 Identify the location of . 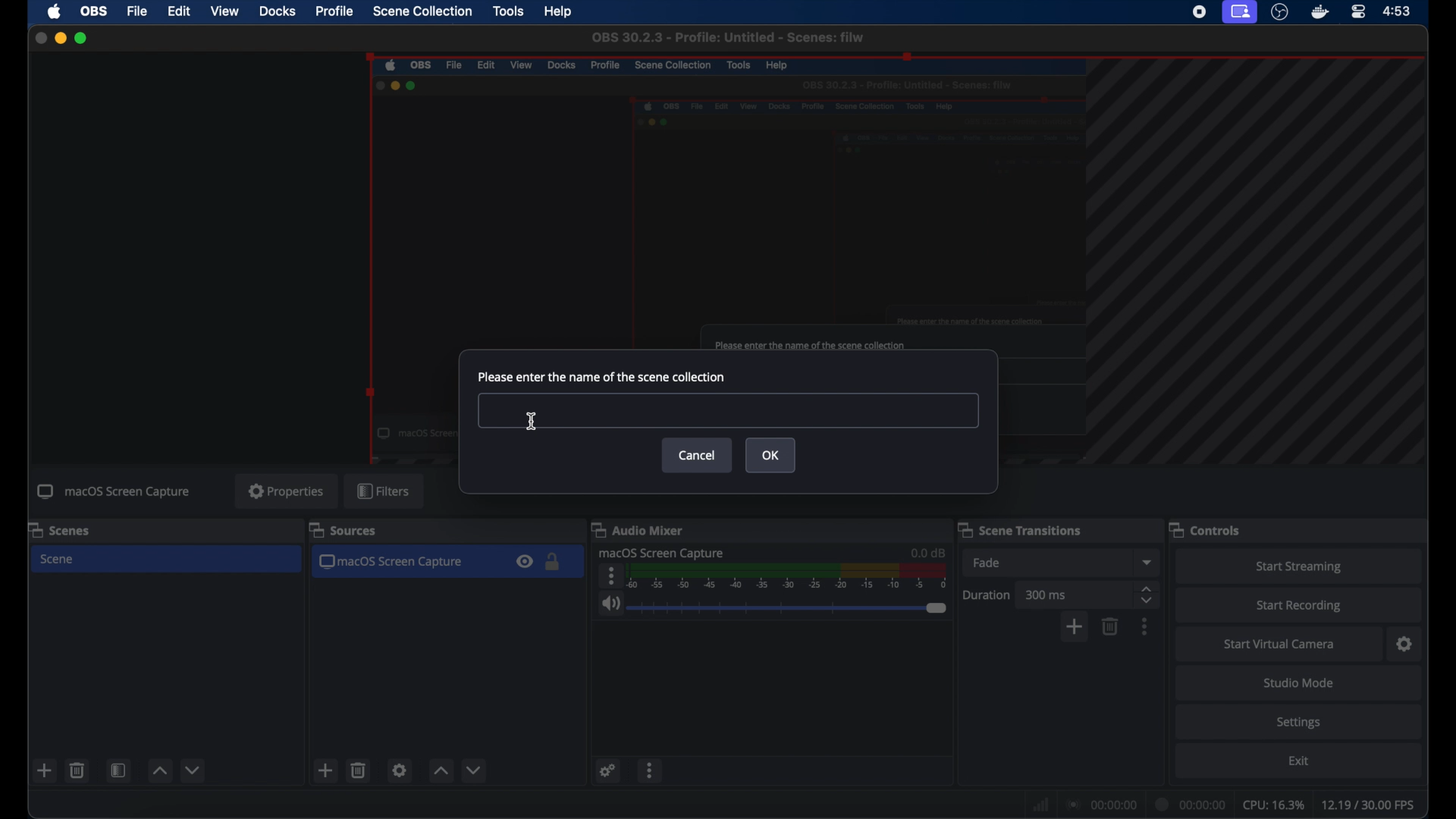
(726, 411).